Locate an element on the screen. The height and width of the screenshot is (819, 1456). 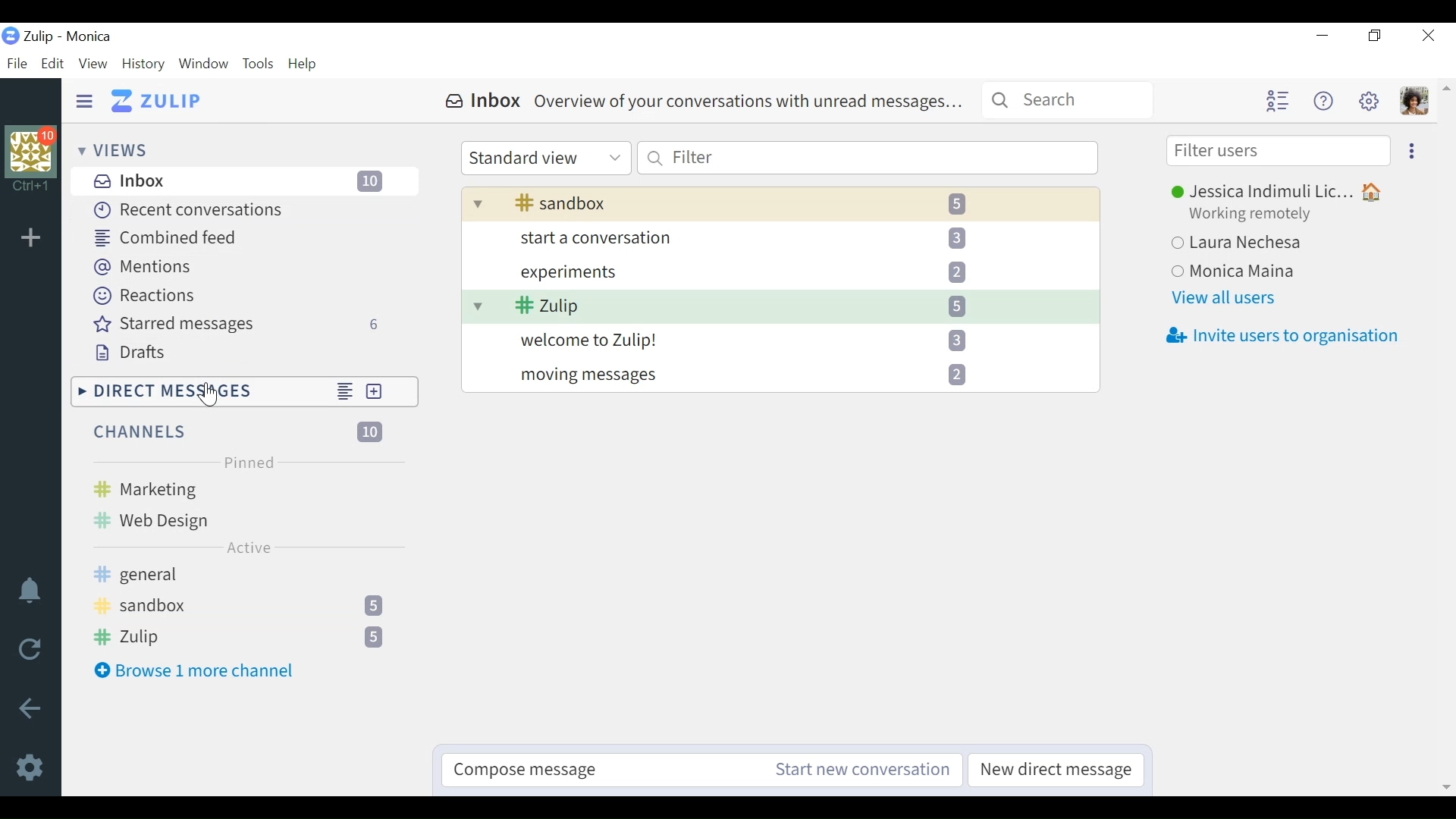
Channel is located at coordinates (246, 609).